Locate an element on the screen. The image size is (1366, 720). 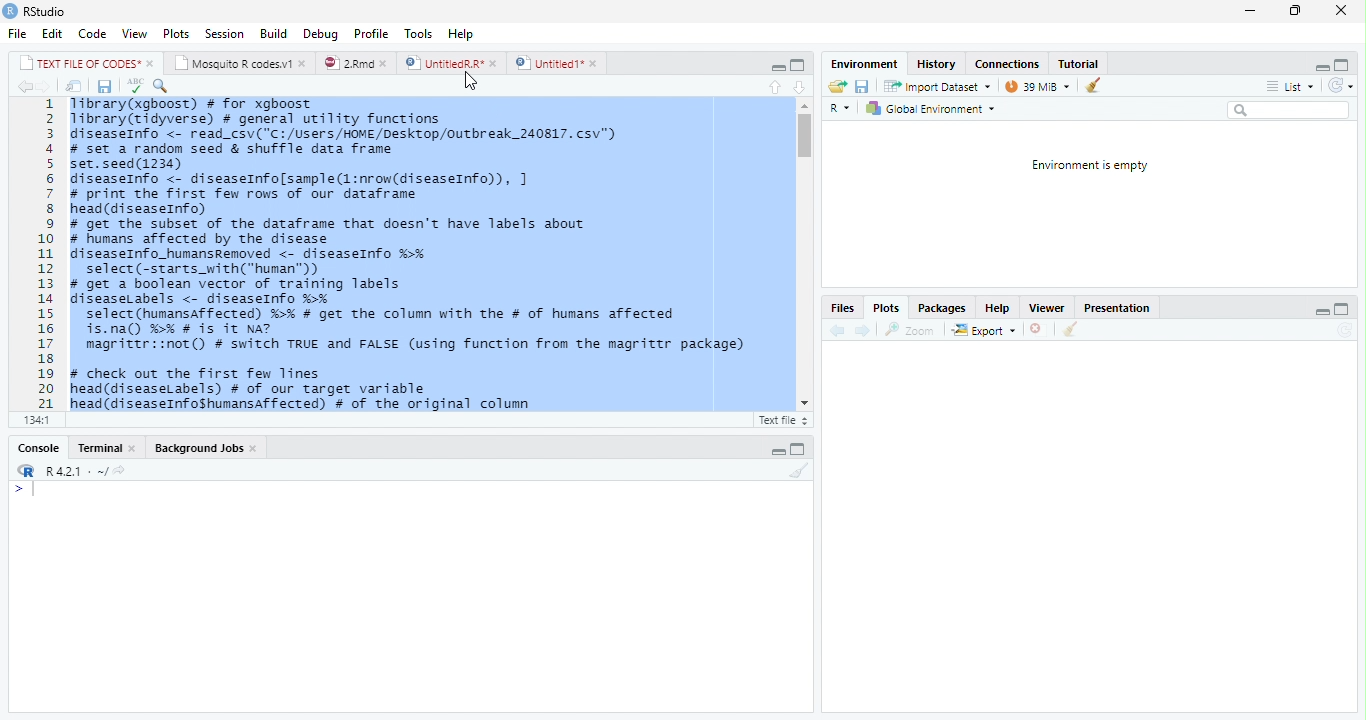
Find/Replace is located at coordinates (233, 85).